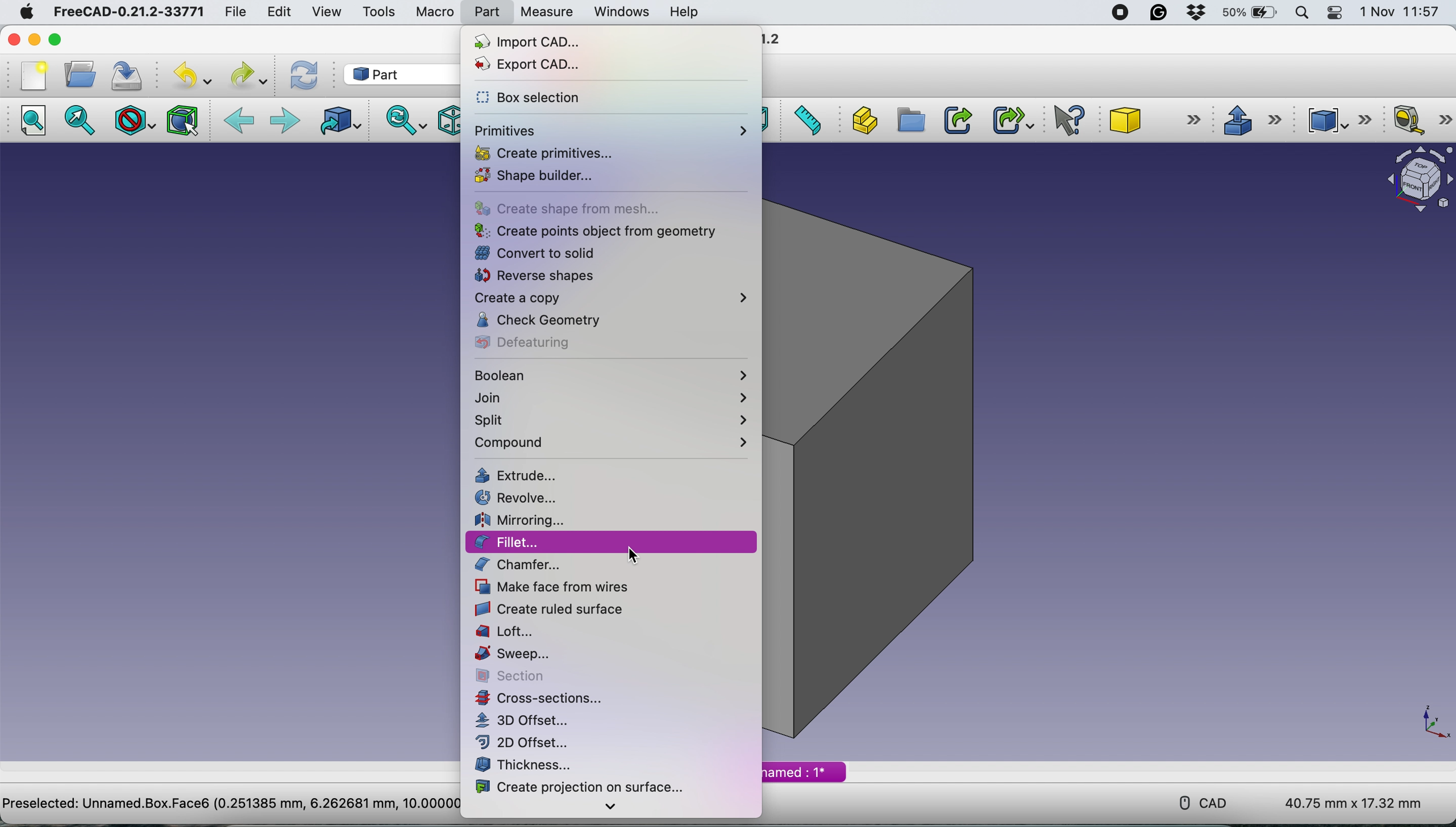 This screenshot has height=827, width=1456. I want to click on boolean, so click(612, 375).